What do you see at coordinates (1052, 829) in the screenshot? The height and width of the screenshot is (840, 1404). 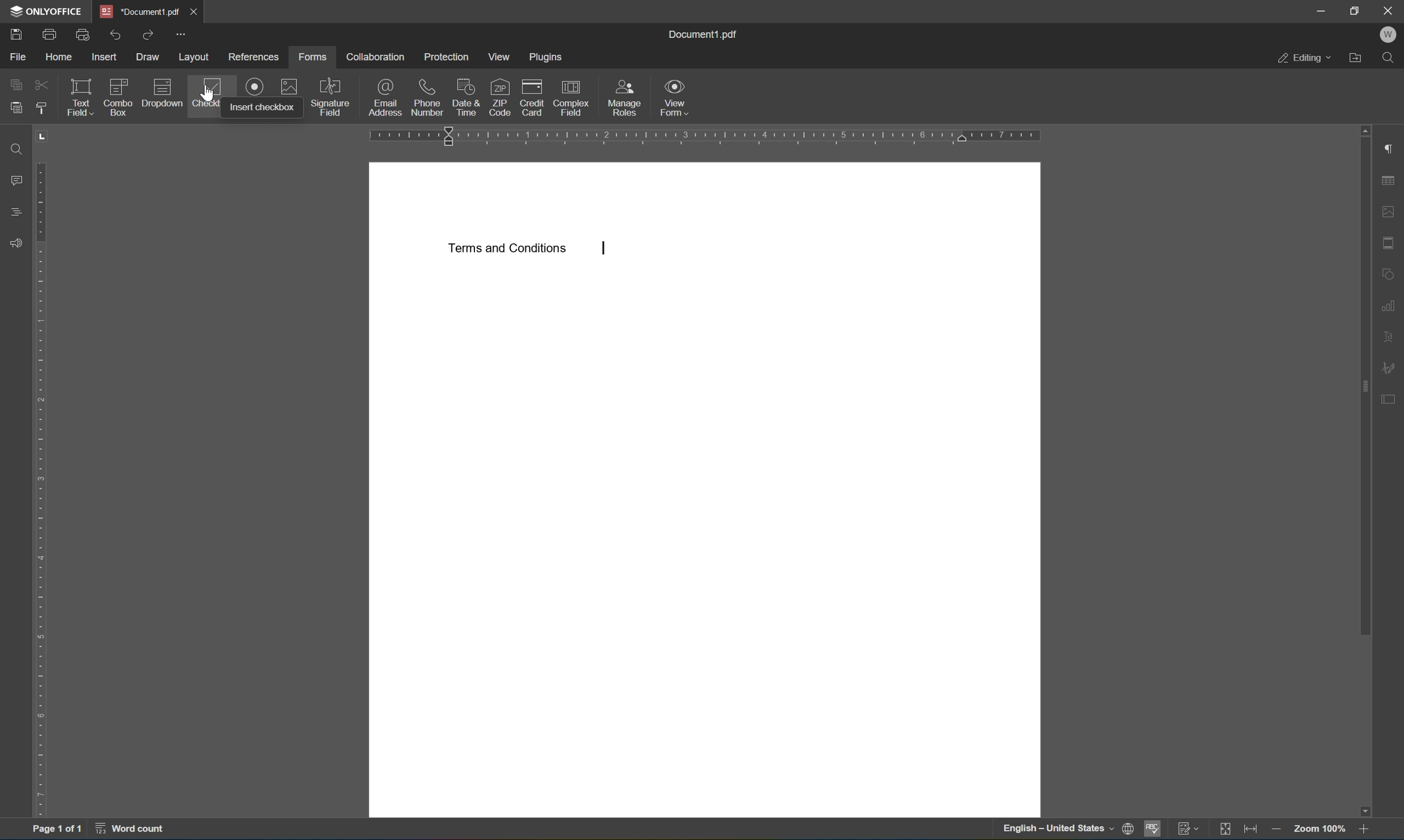 I see `English ~ United States` at bounding box center [1052, 829].